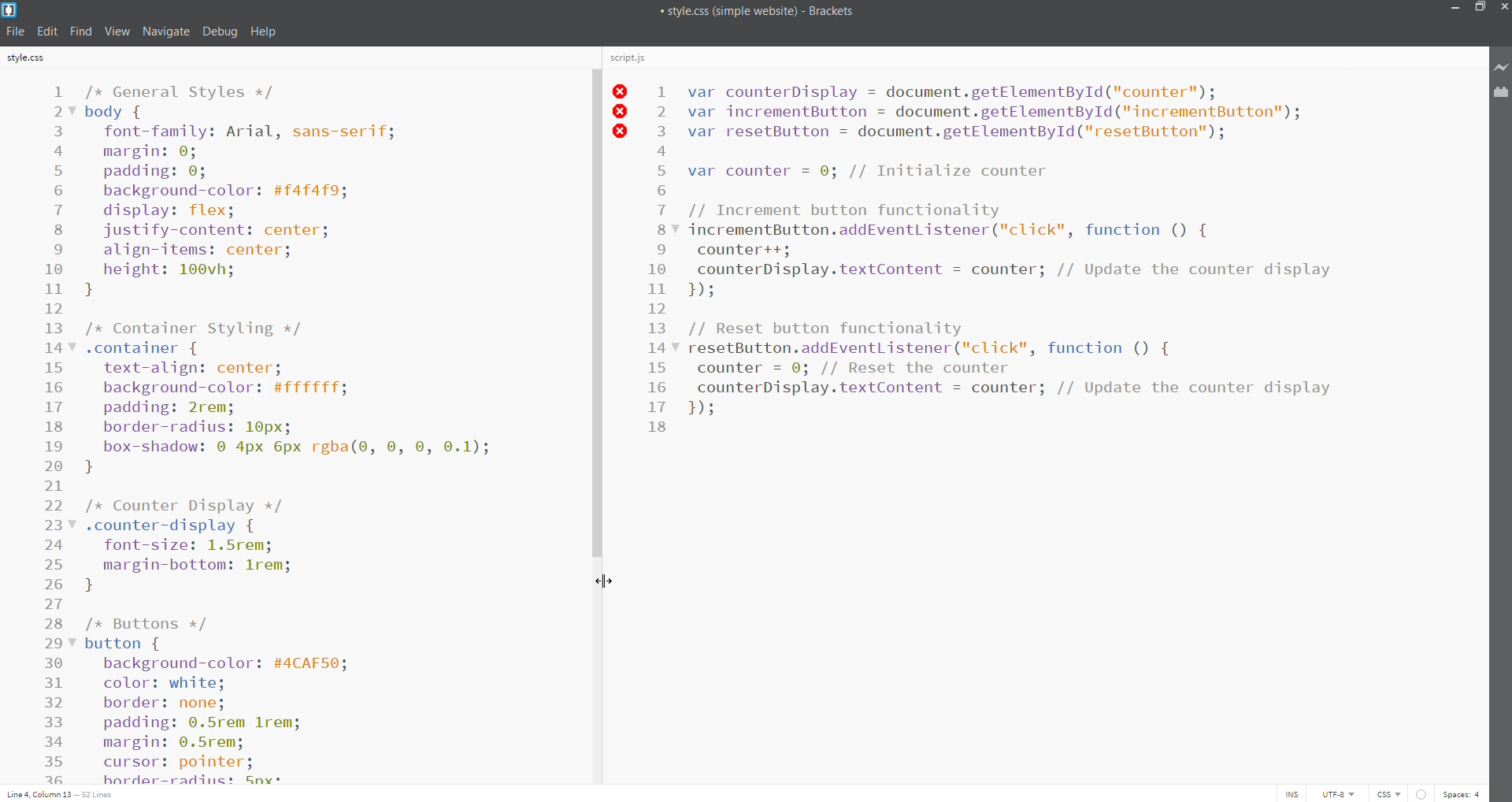 The image size is (1512, 802). I want to click on live preview, so click(1498, 66).